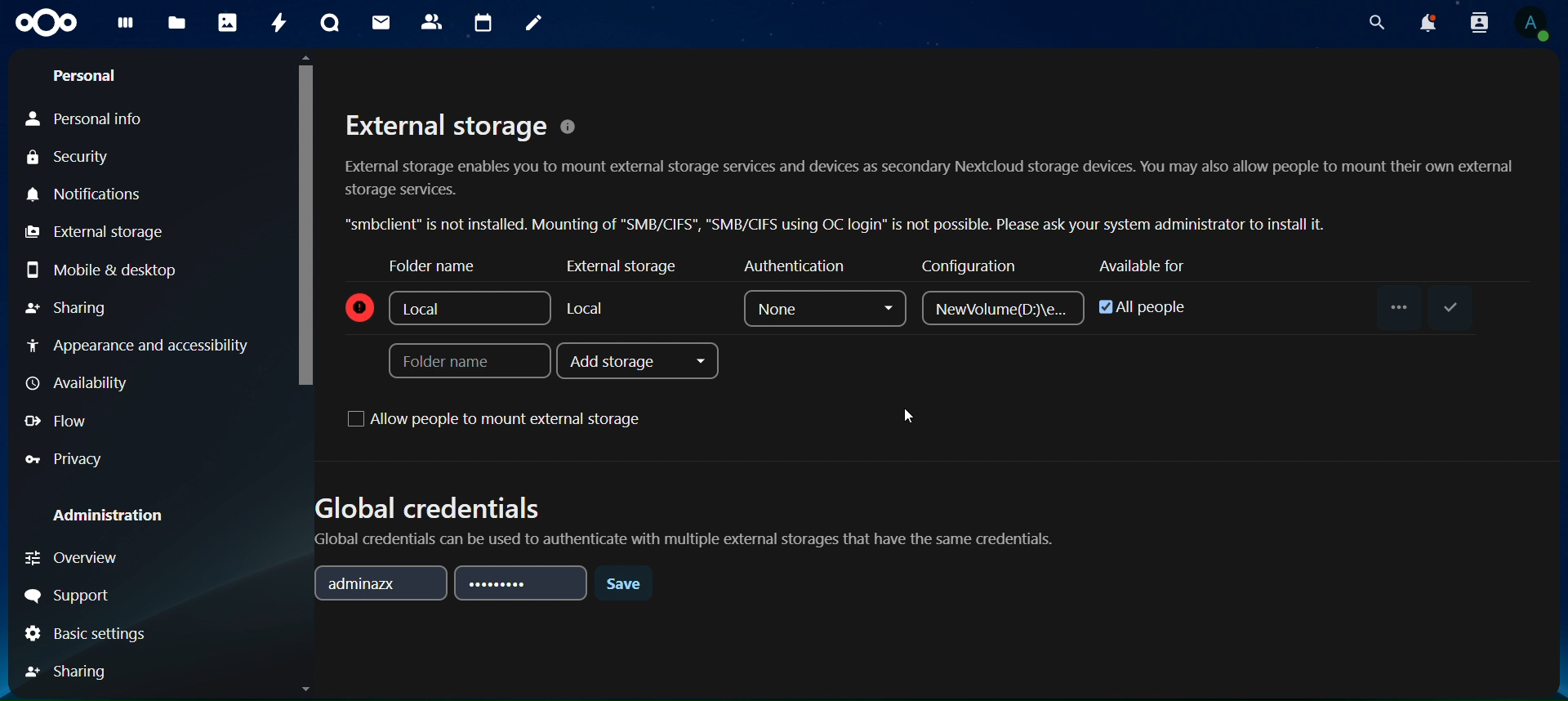 The height and width of the screenshot is (701, 1568). What do you see at coordinates (275, 24) in the screenshot?
I see `activity` at bounding box center [275, 24].